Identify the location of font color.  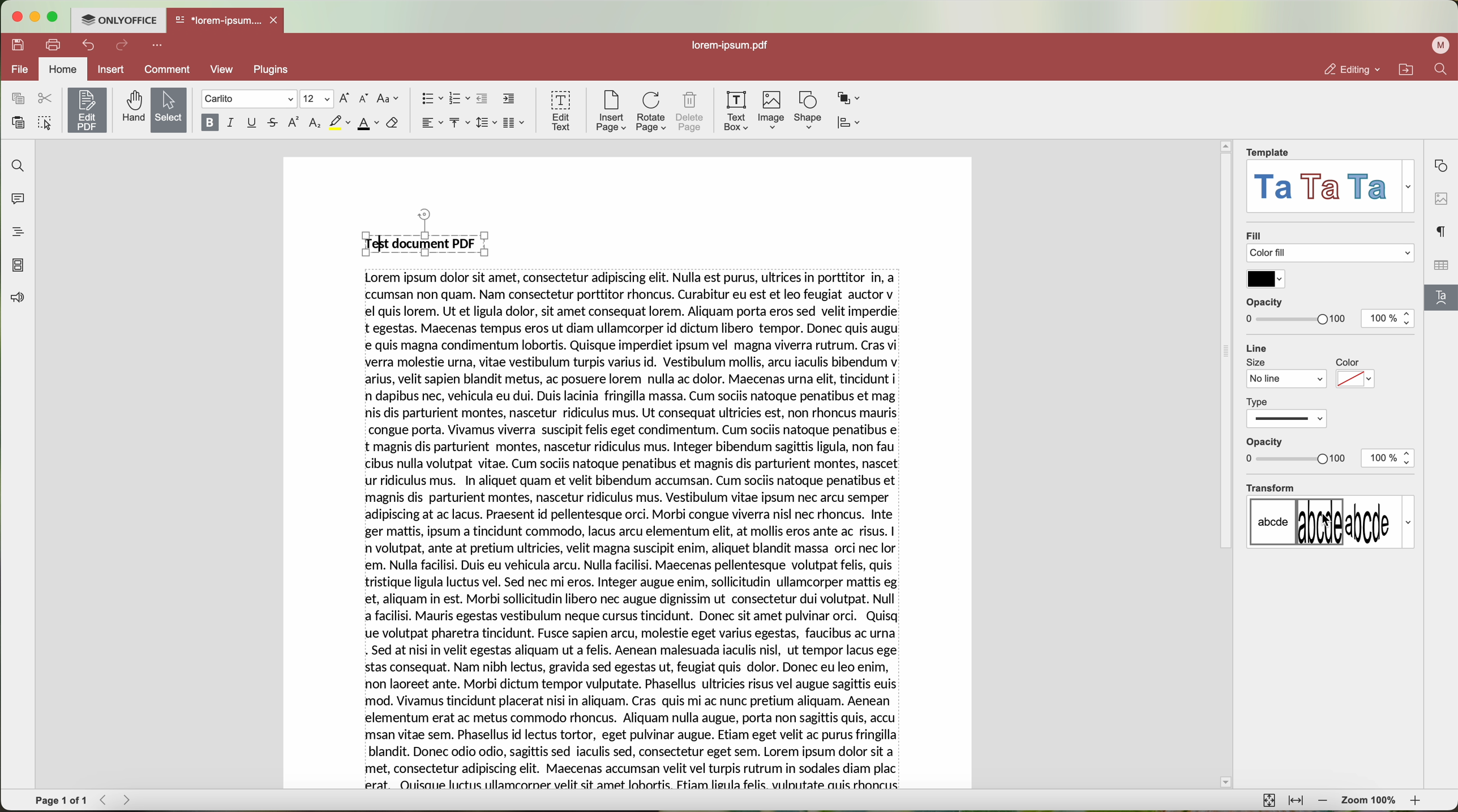
(368, 124).